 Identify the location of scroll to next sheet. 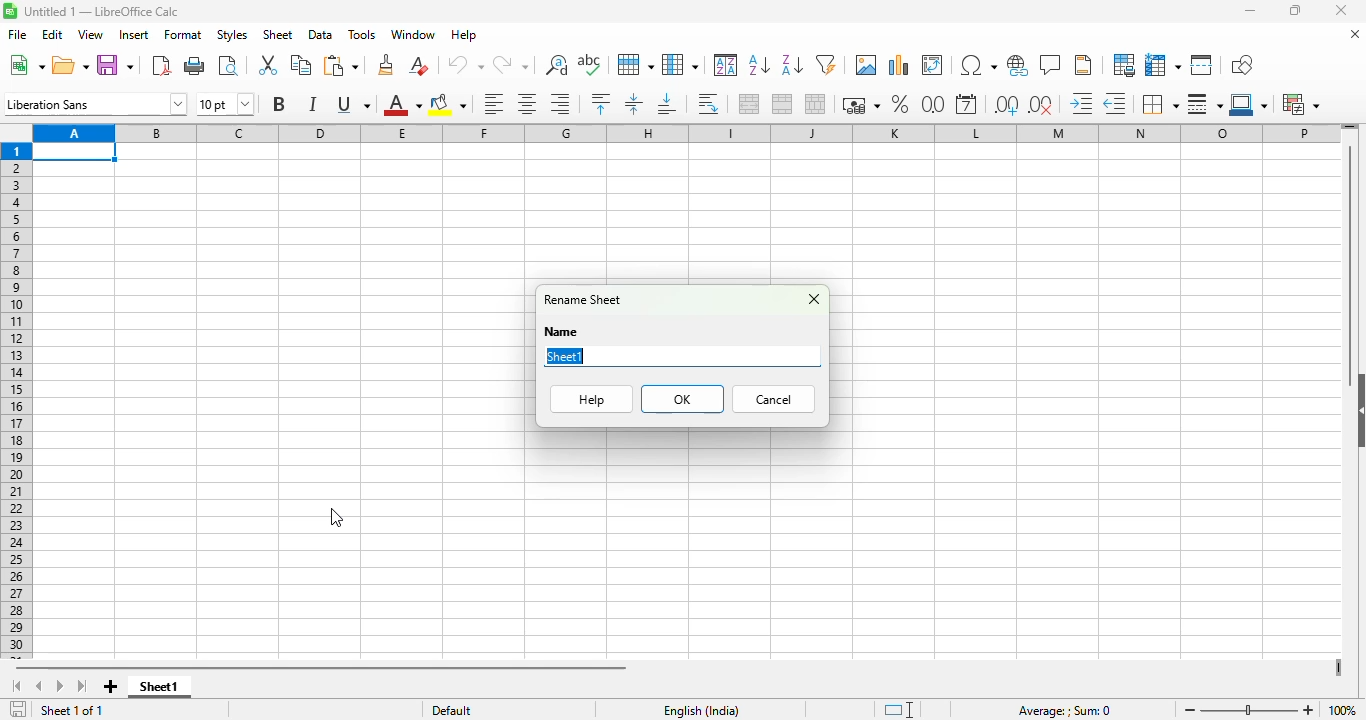
(61, 687).